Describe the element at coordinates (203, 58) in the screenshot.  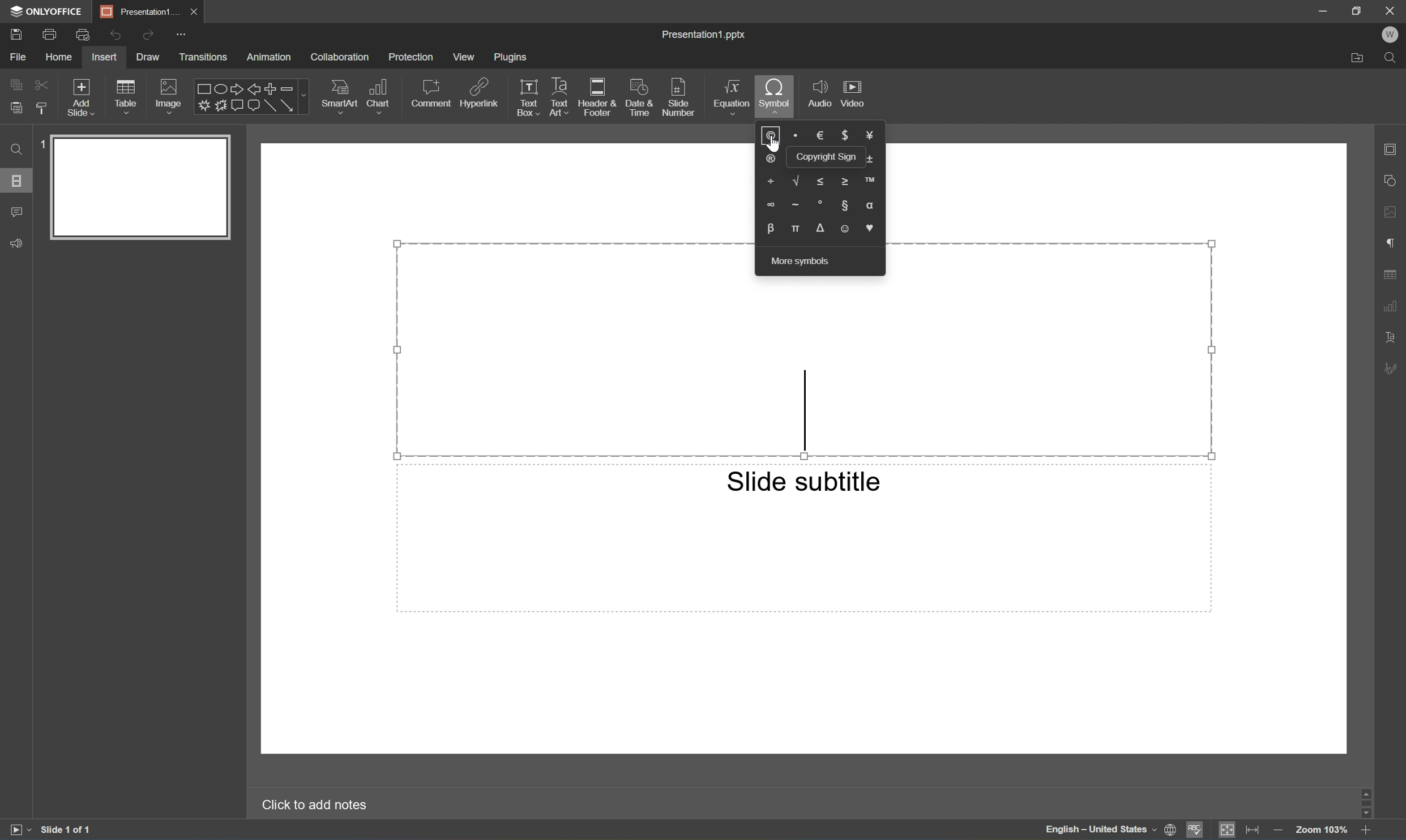
I see `Transitions` at that location.